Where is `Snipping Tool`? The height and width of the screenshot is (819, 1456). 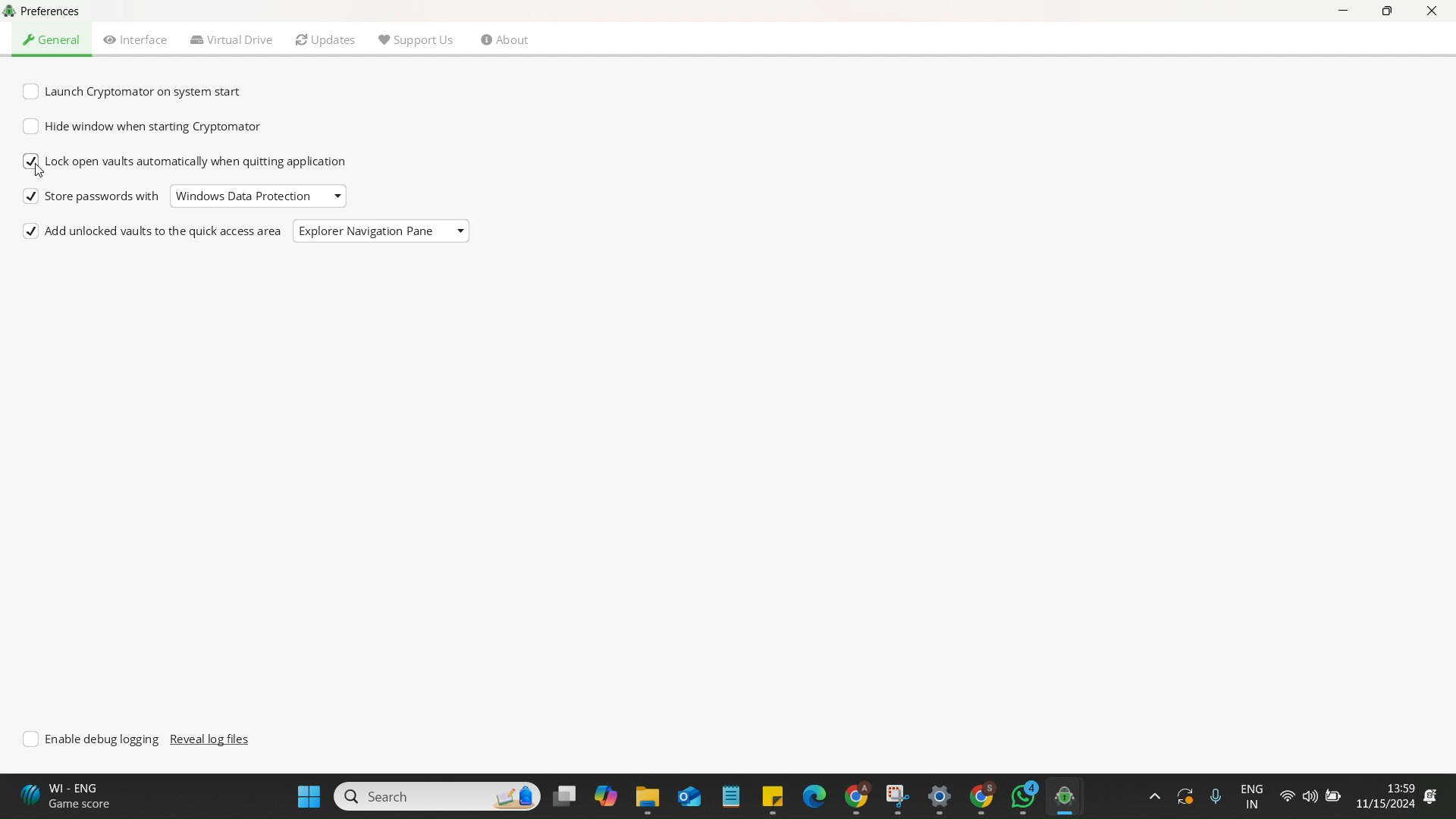
Snipping Tool is located at coordinates (895, 795).